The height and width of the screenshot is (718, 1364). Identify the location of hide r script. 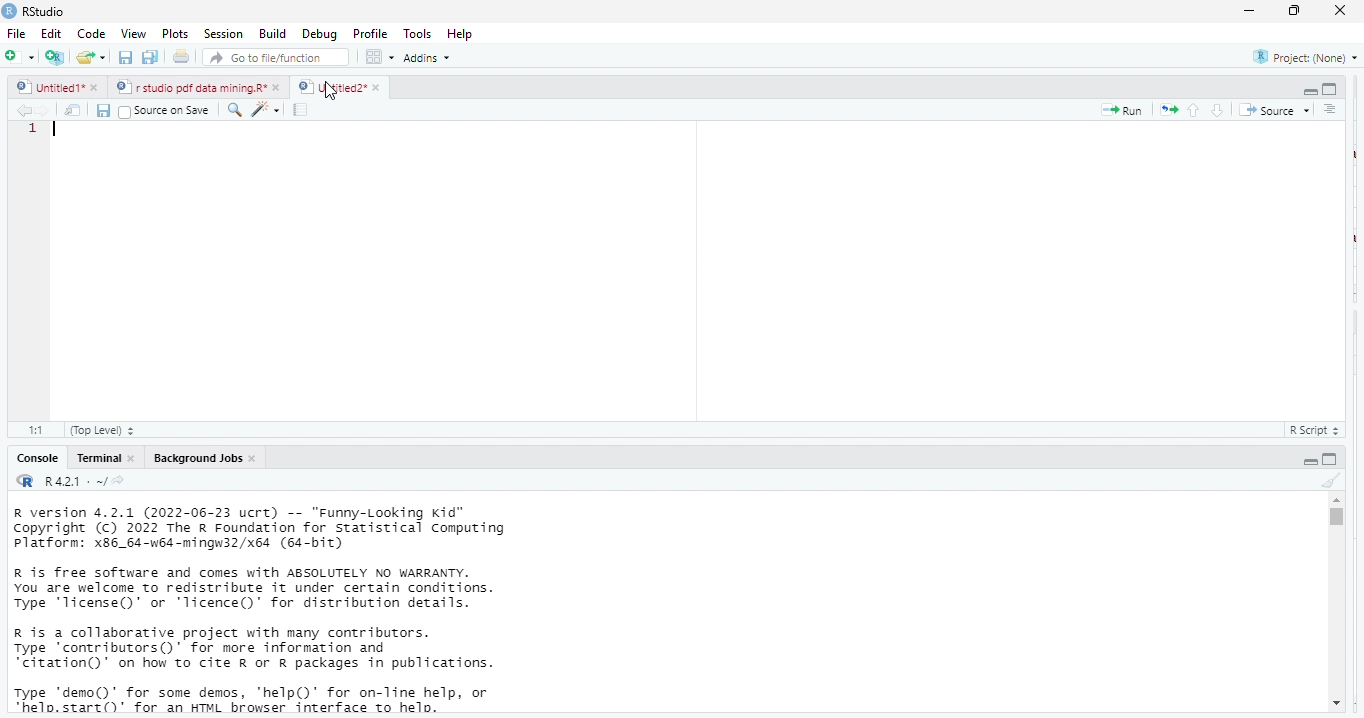
(1310, 92).